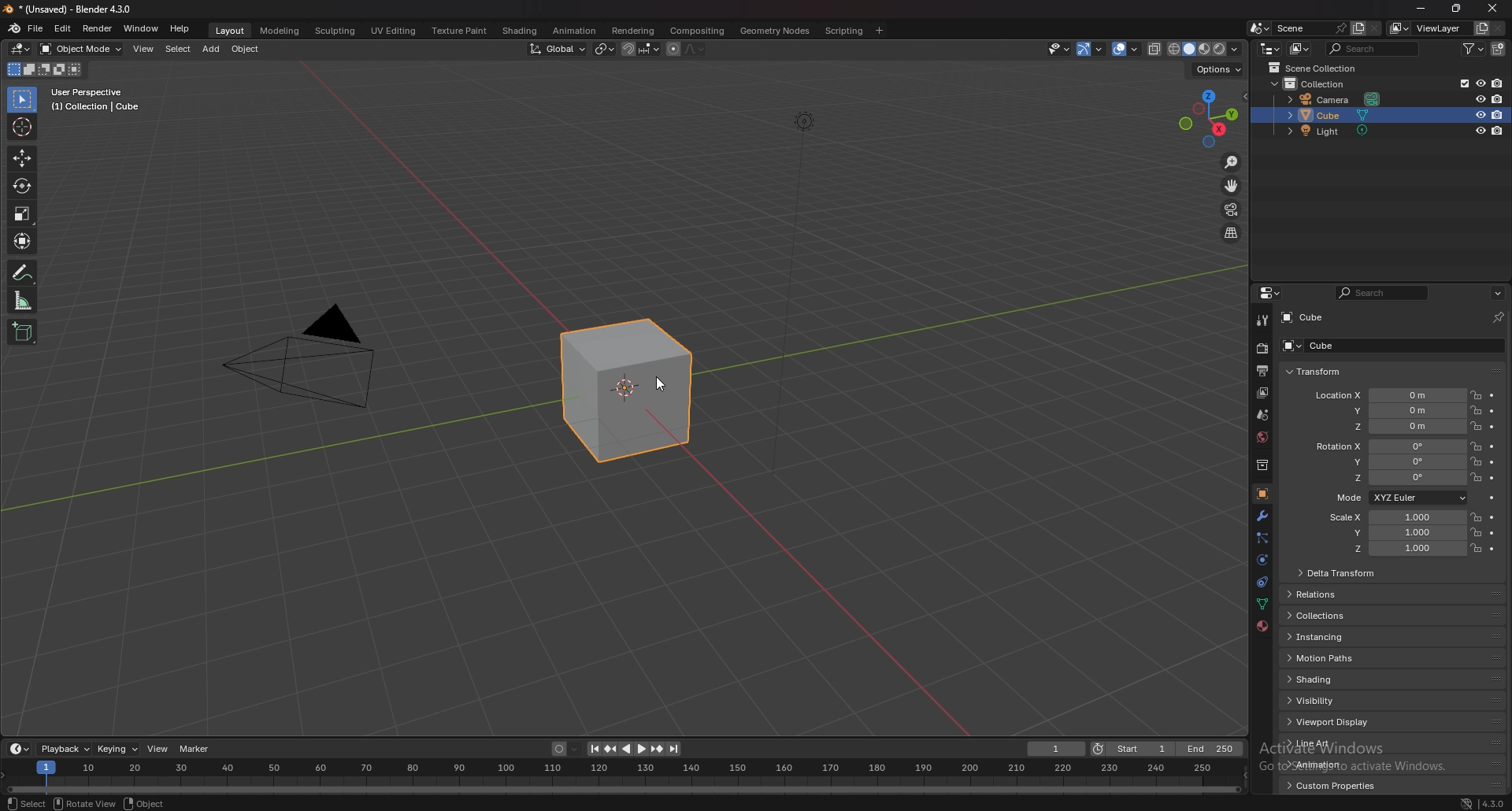  I want to click on texture paint, so click(461, 31).